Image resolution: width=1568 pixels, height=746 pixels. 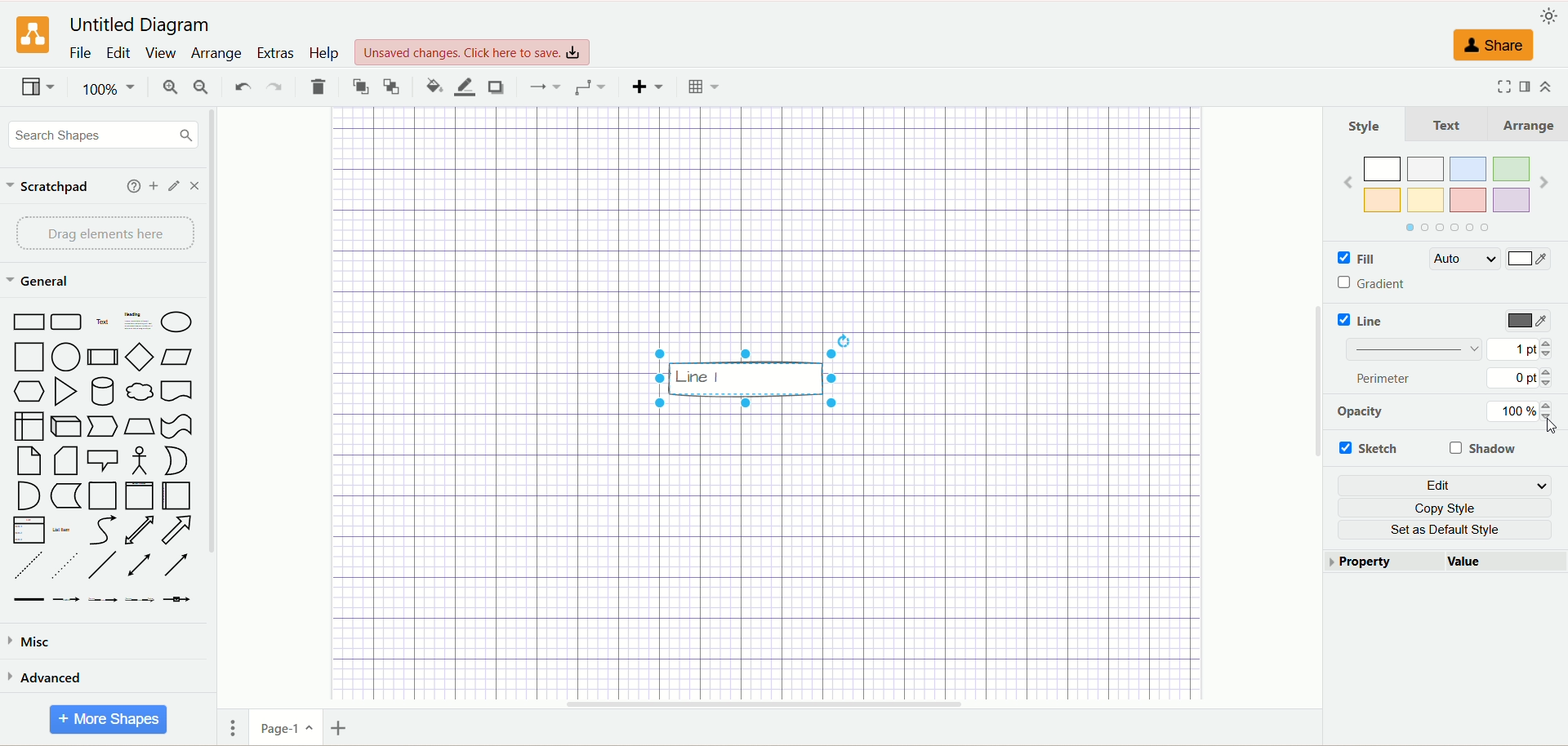 I want to click on Trapezoid, so click(x=140, y=428).